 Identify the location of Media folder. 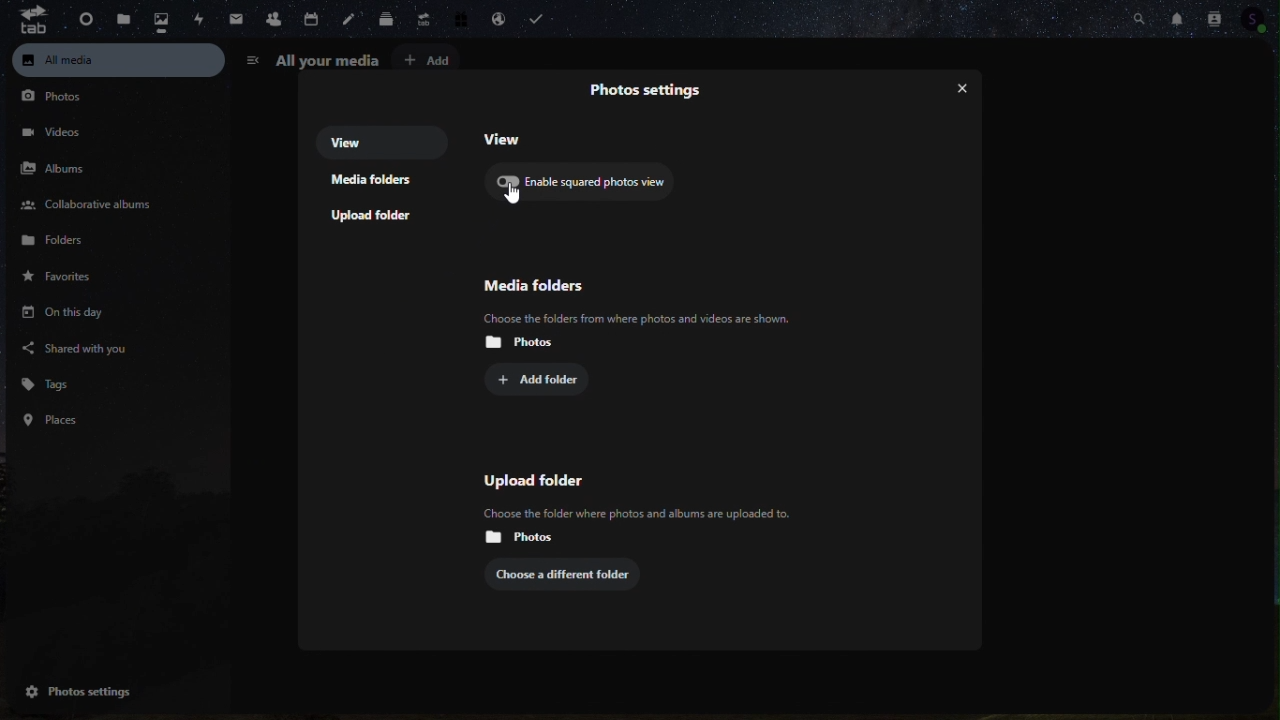
(627, 282).